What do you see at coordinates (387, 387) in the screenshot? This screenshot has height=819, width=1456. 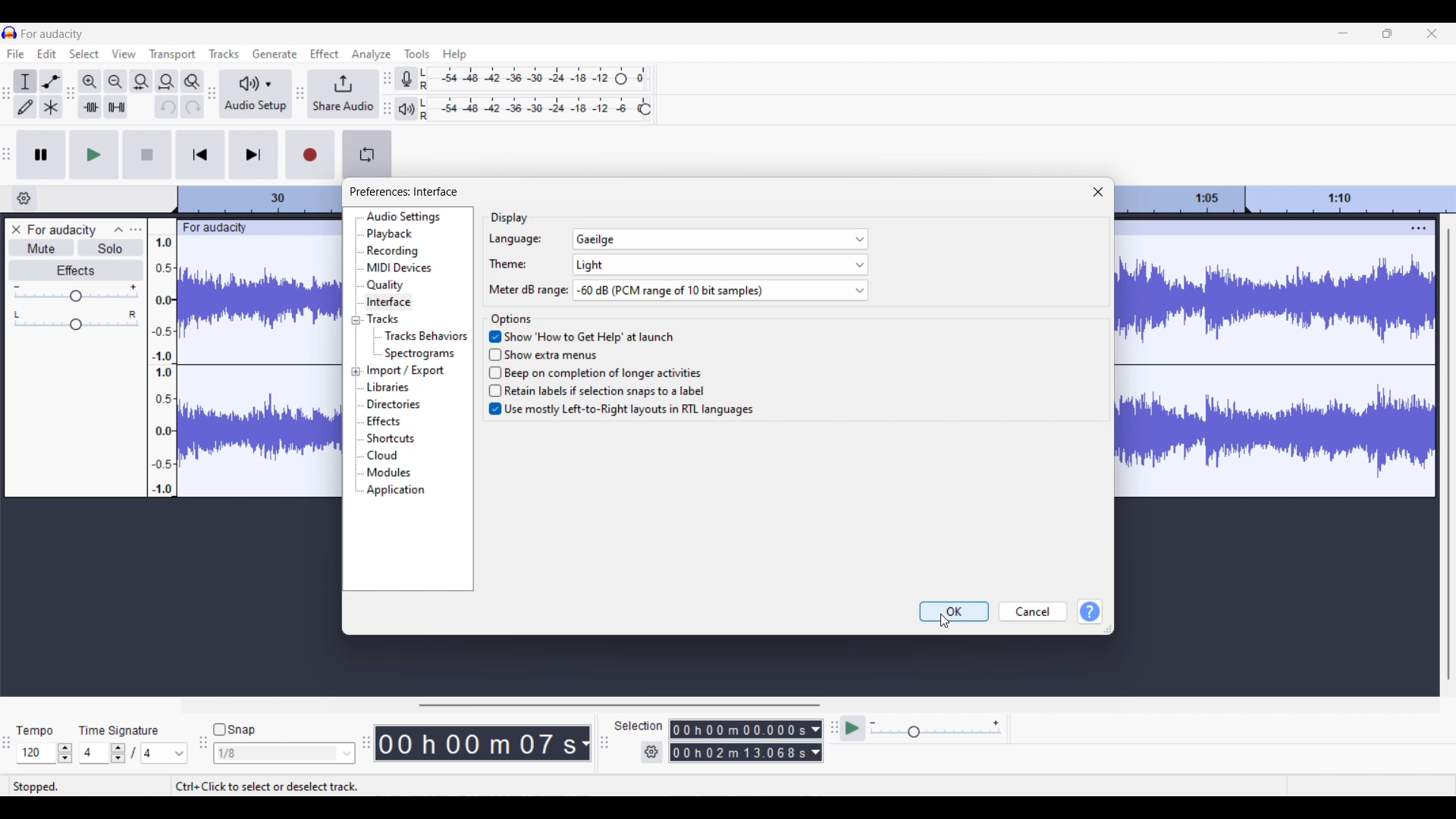 I see `Libraries` at bounding box center [387, 387].